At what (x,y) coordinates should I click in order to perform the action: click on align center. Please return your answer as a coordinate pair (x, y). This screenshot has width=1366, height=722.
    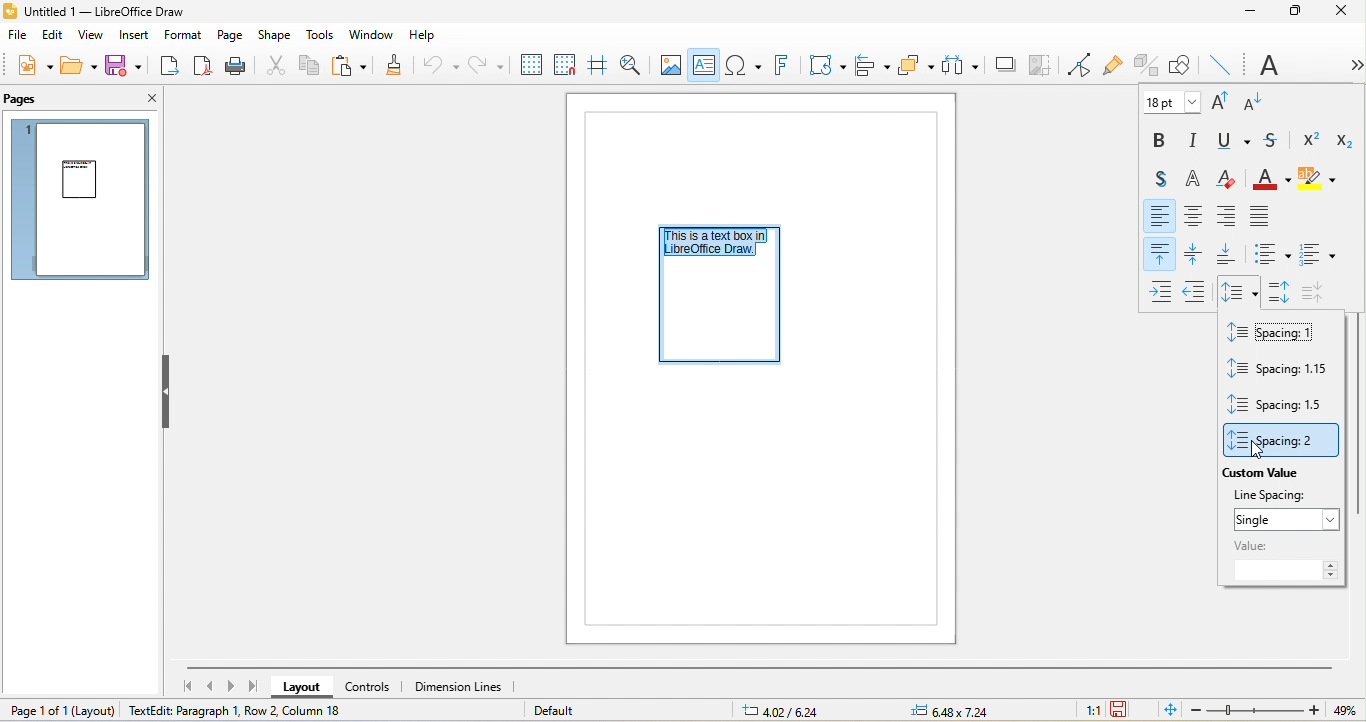
    Looking at the image, I should click on (1196, 215).